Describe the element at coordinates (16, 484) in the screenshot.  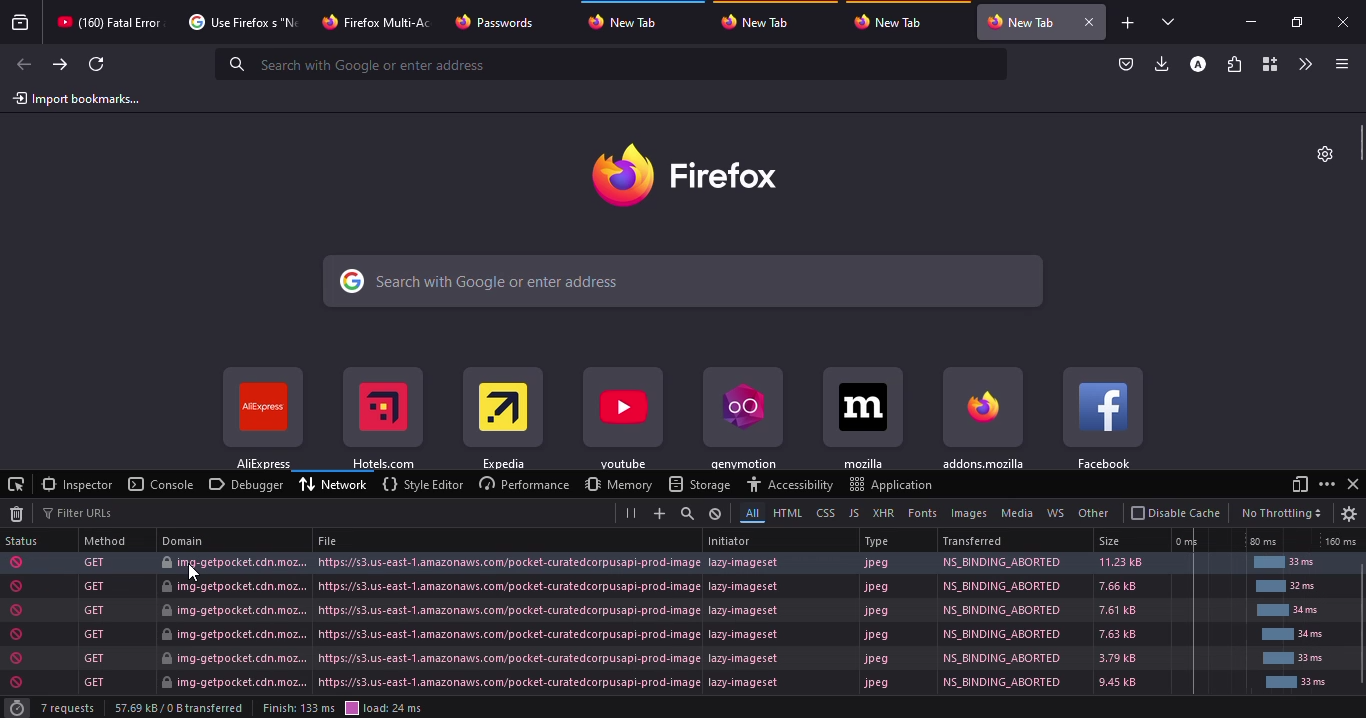
I see `select` at that location.